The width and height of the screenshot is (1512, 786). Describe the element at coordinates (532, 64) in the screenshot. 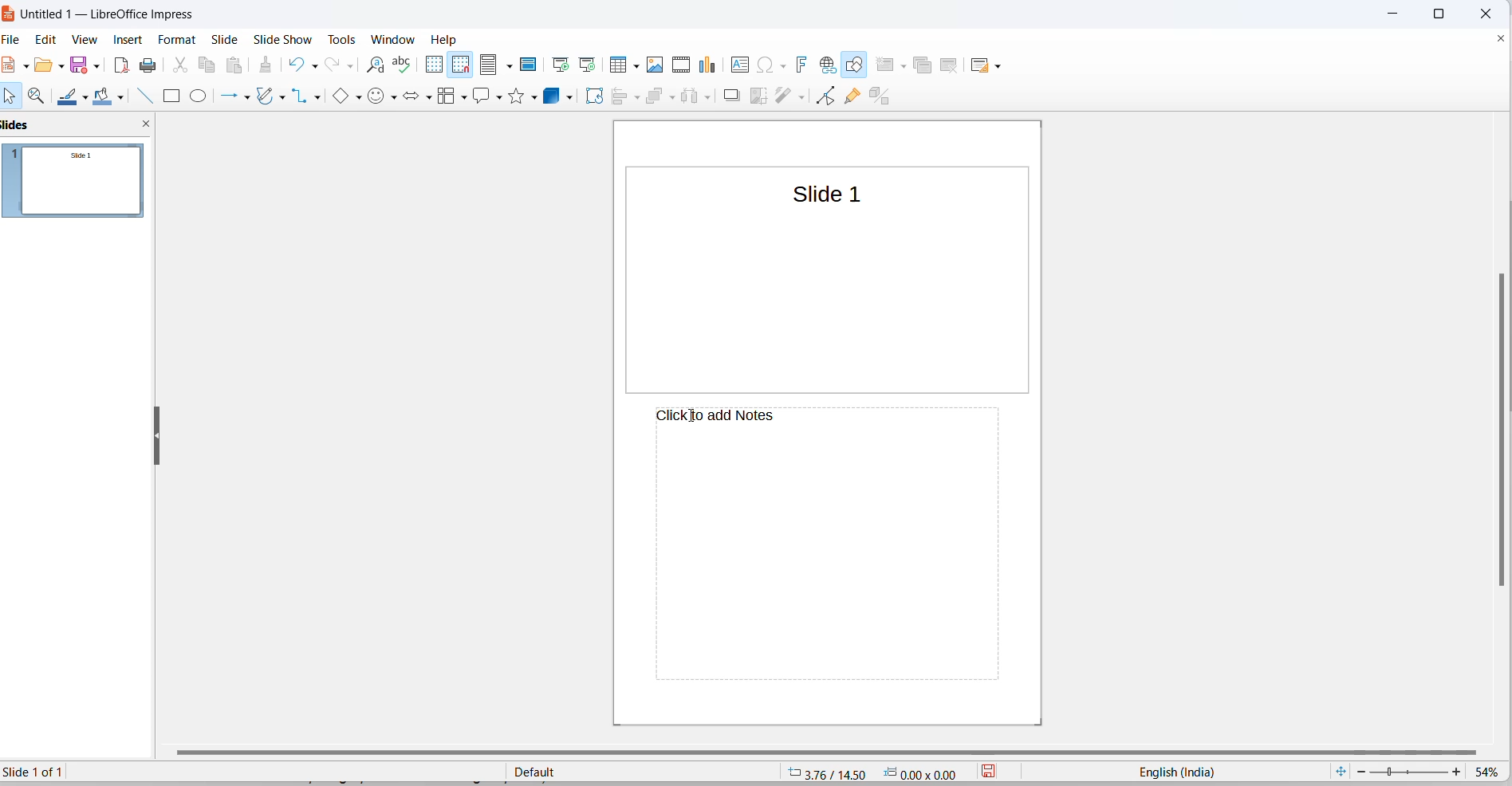

I see `master slide` at that location.